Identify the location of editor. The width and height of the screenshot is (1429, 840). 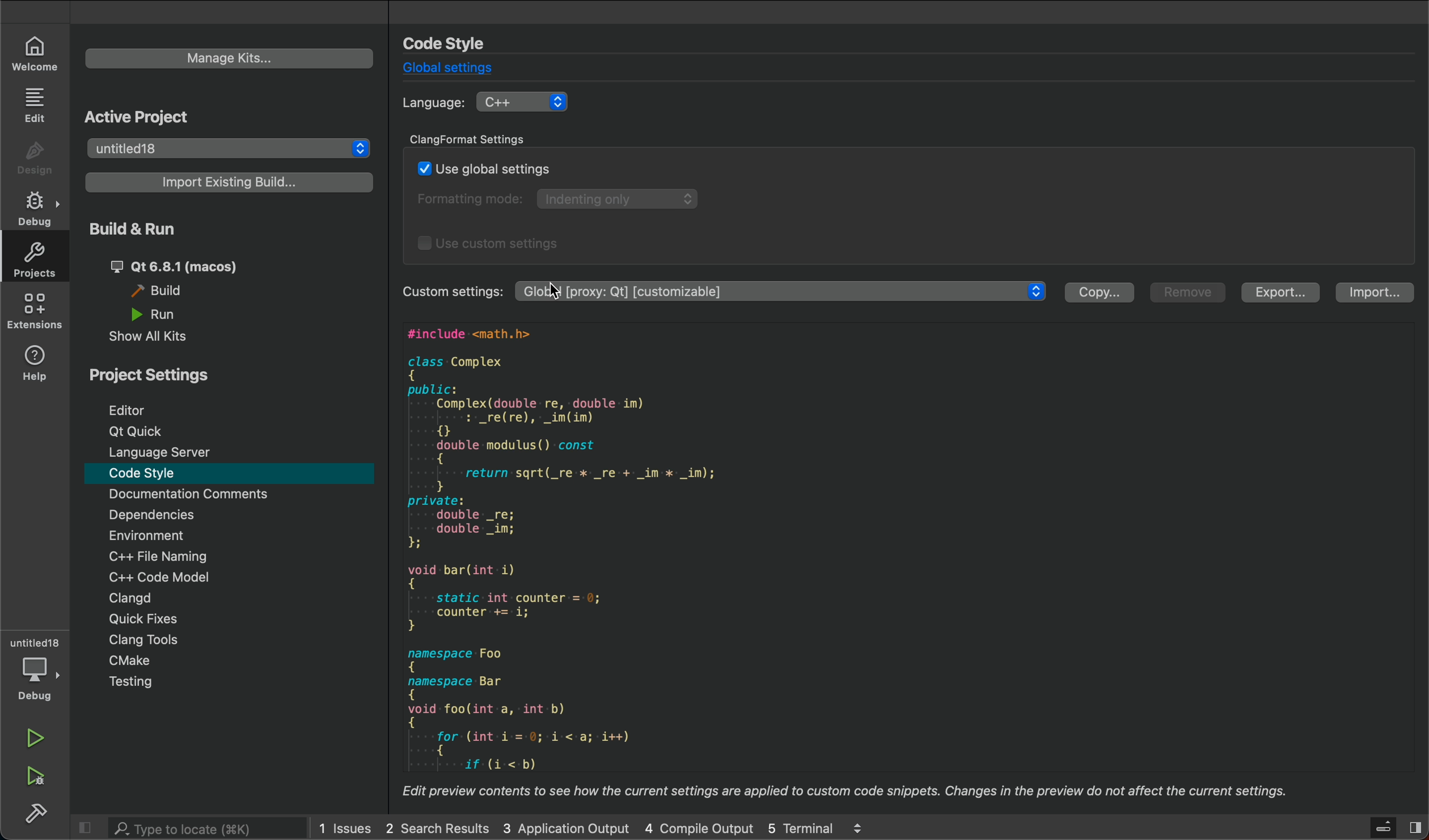
(126, 410).